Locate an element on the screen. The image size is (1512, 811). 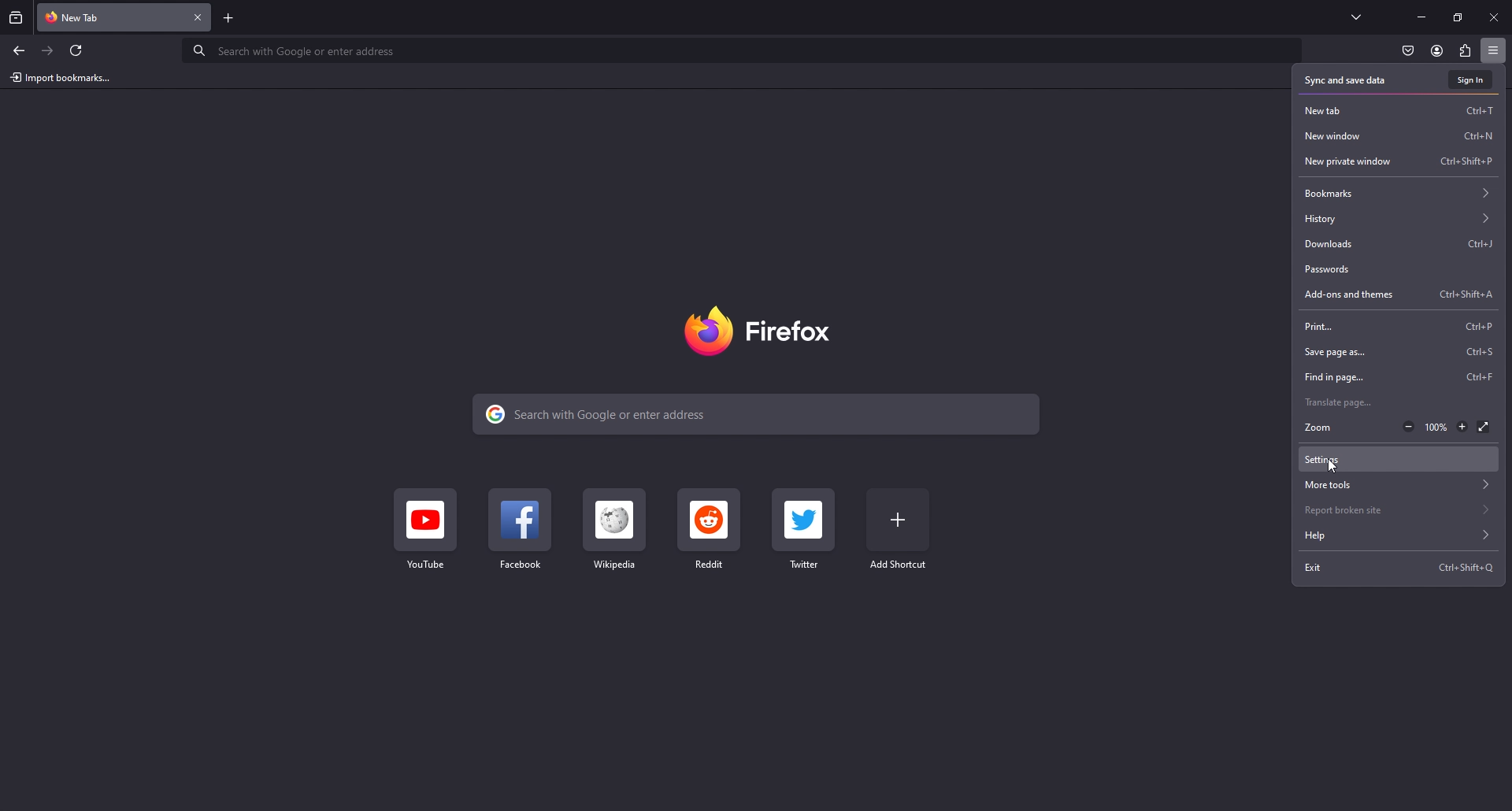
application menu is located at coordinates (1492, 50).